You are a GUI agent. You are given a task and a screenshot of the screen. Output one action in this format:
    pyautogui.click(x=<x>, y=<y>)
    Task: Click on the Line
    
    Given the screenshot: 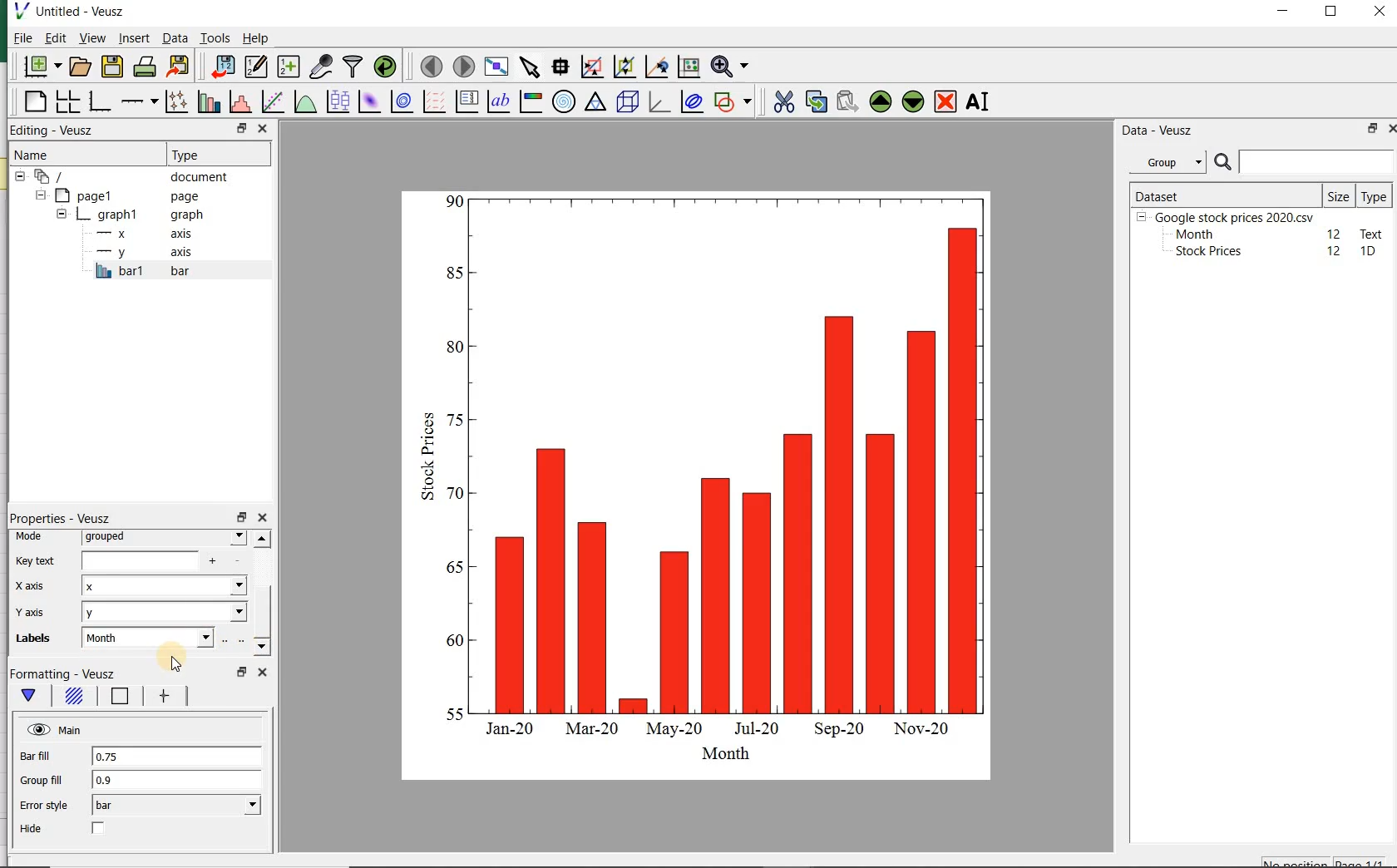 What is the action you would take?
    pyautogui.click(x=119, y=698)
    